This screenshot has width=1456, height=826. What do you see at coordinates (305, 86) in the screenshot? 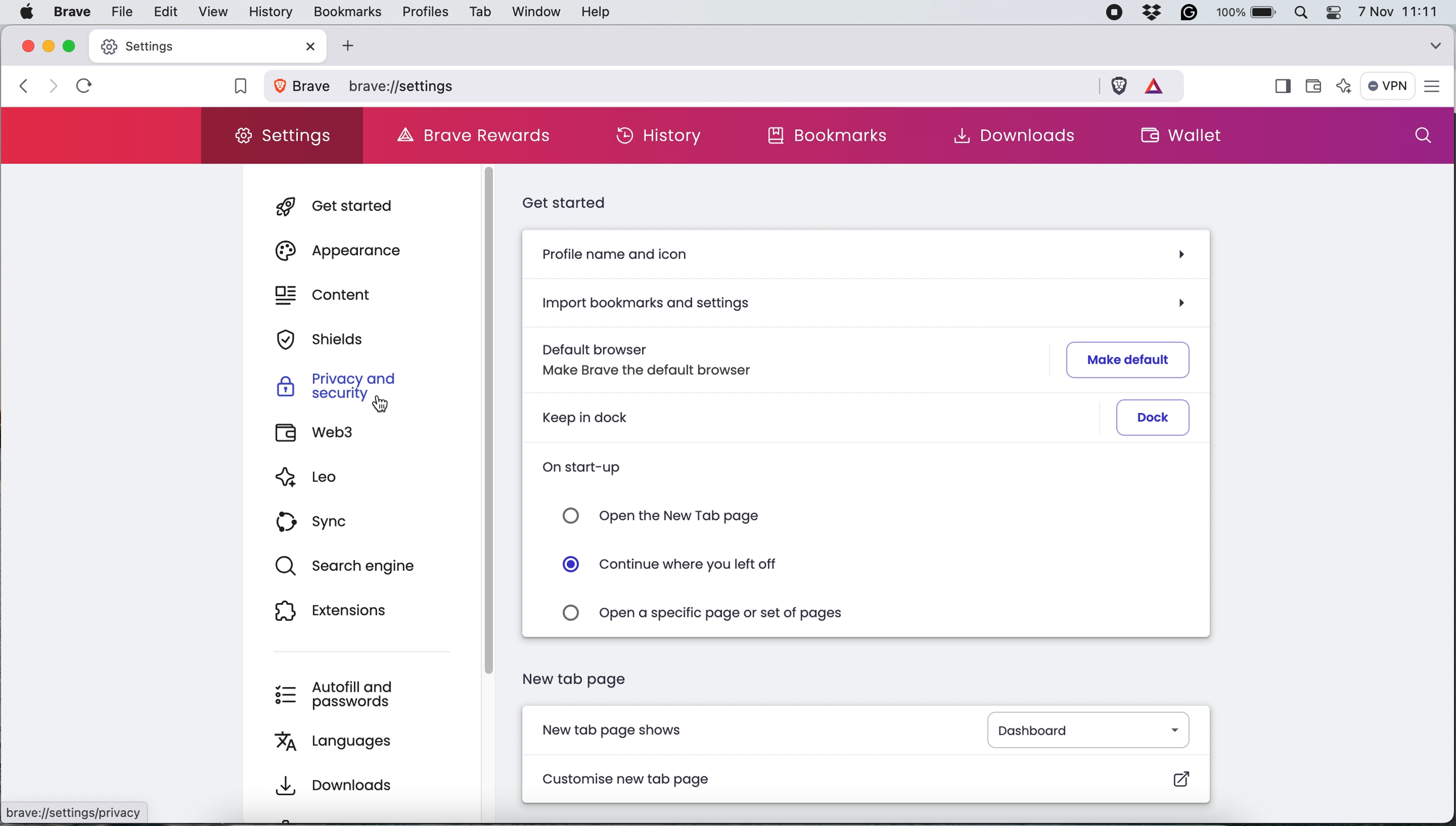
I see `view site information` at bounding box center [305, 86].